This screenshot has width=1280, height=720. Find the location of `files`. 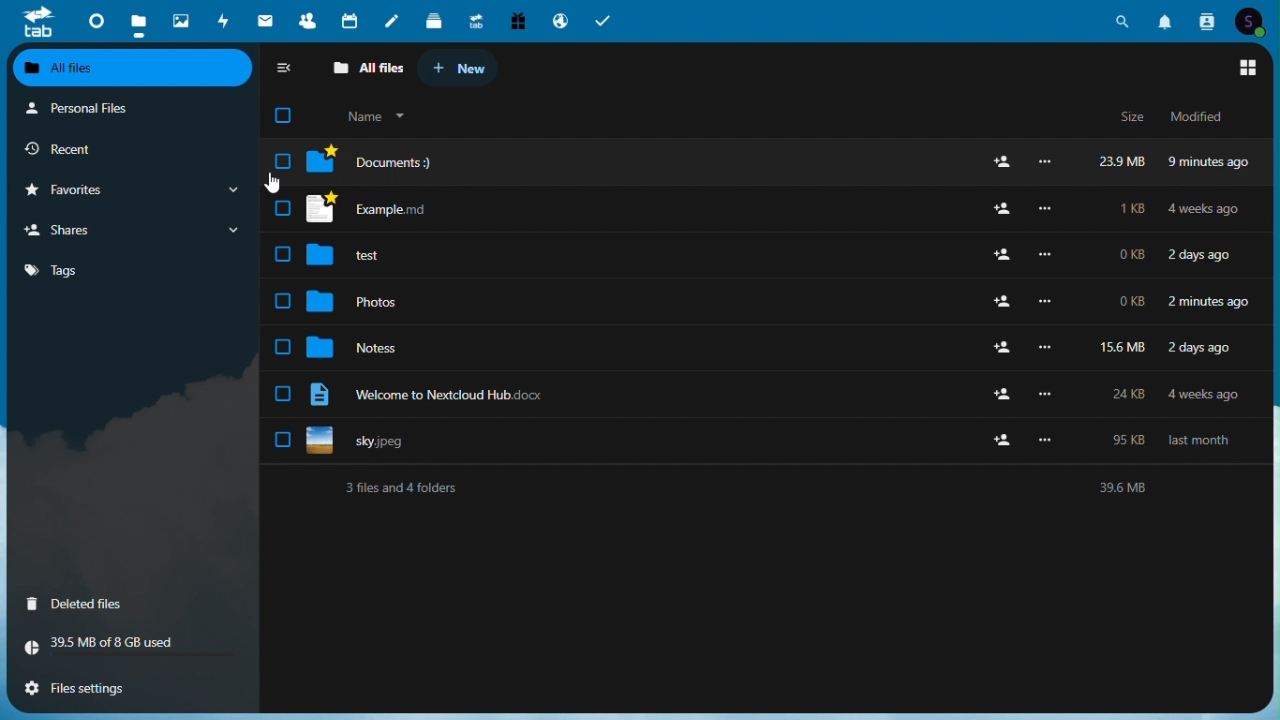

files is located at coordinates (140, 19).